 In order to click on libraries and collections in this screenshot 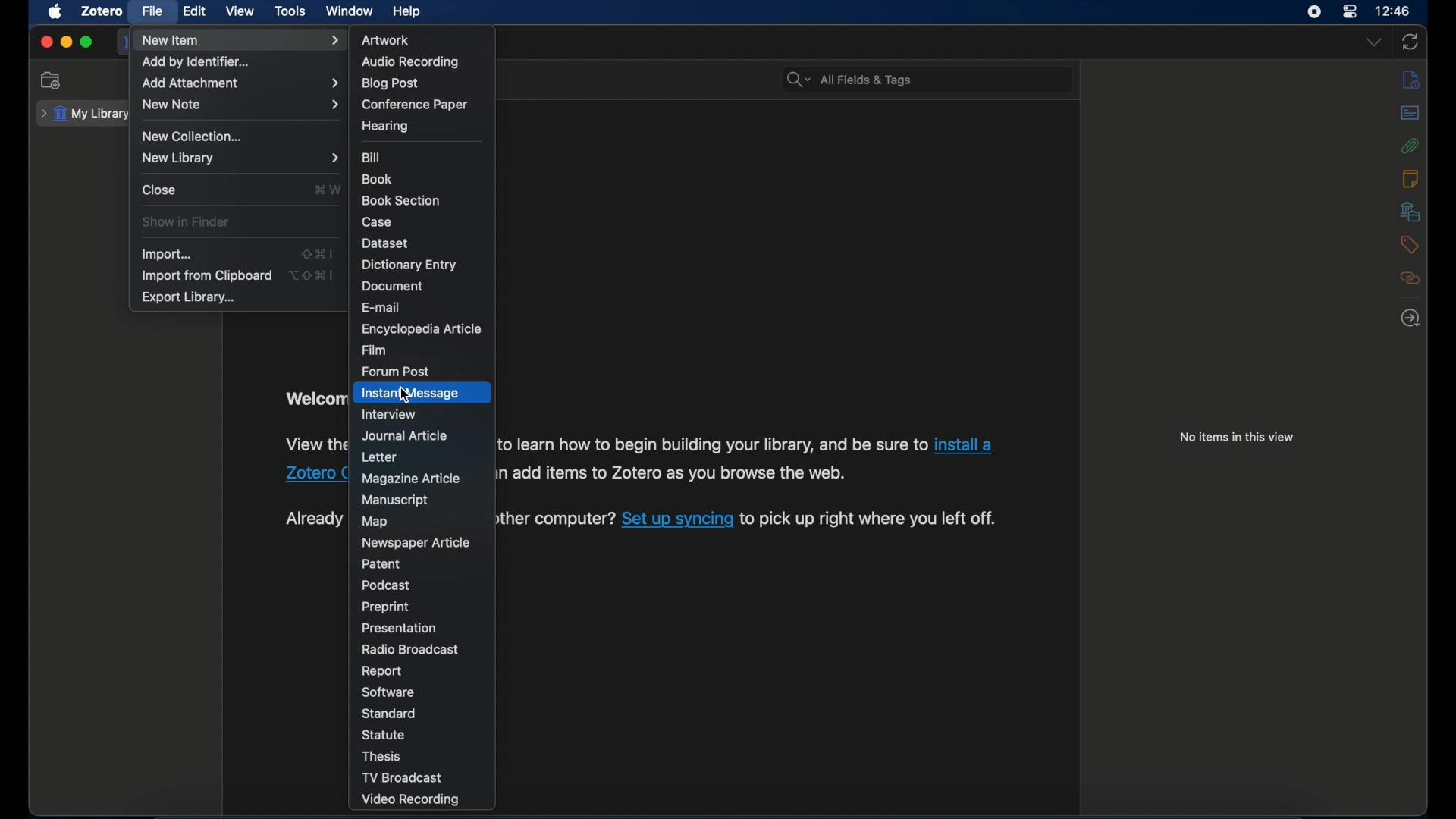, I will do `click(1410, 212)`.